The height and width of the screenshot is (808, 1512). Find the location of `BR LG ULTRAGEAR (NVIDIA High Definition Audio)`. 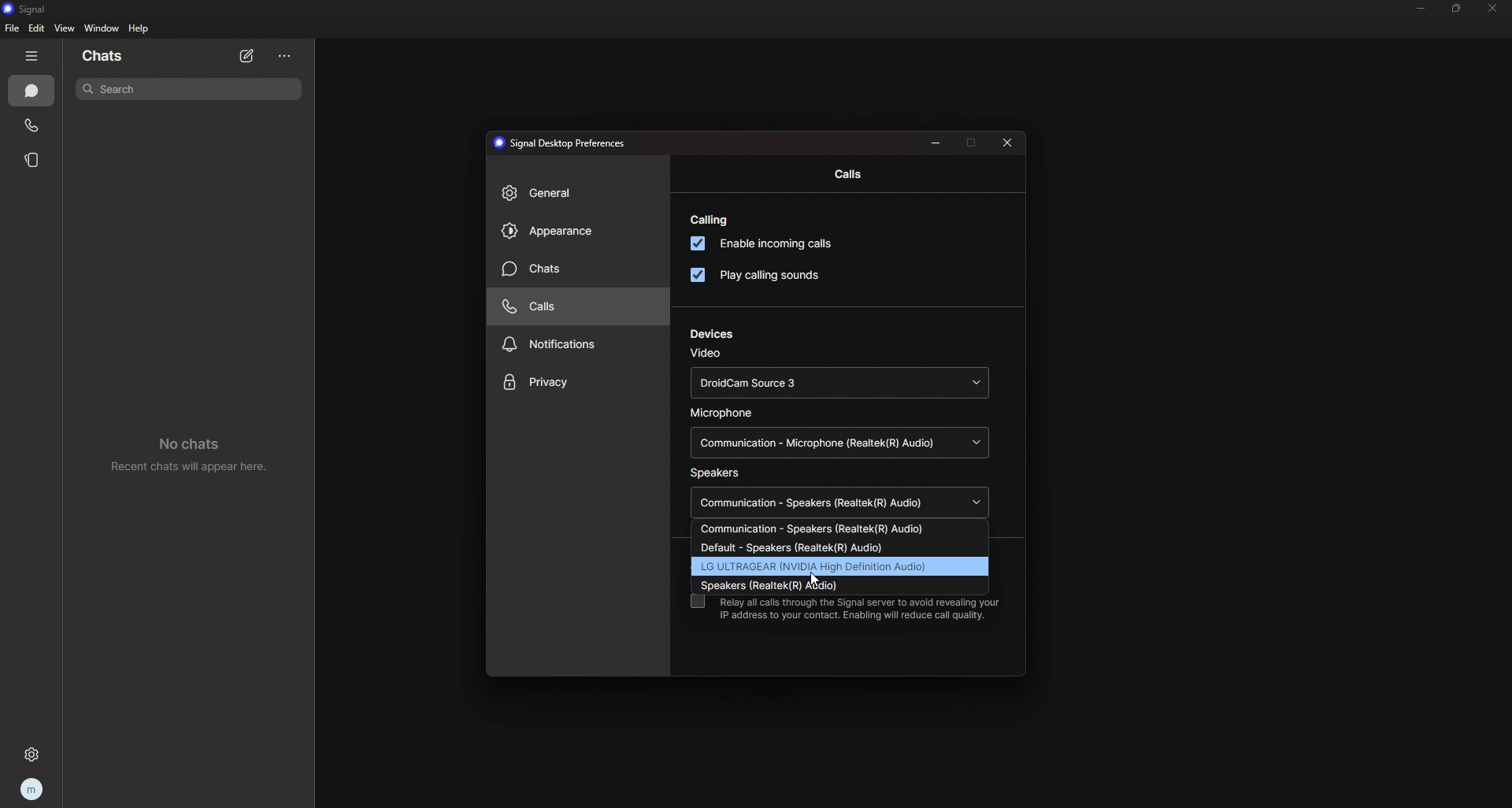

BR LG ULTRAGEAR (NVIDIA High Definition Audio) is located at coordinates (815, 566).